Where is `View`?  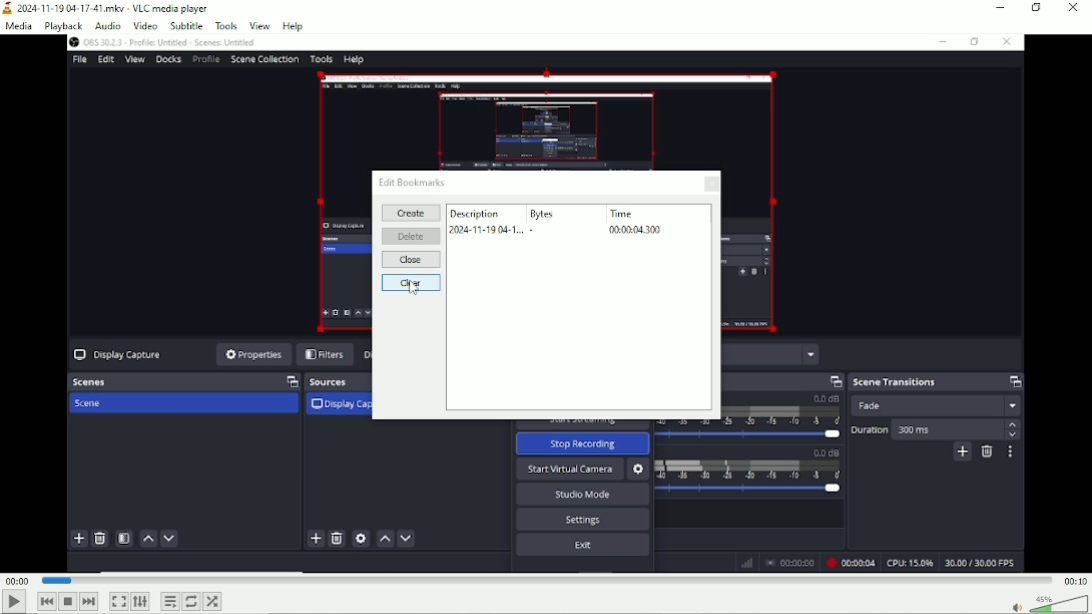
View is located at coordinates (258, 25).